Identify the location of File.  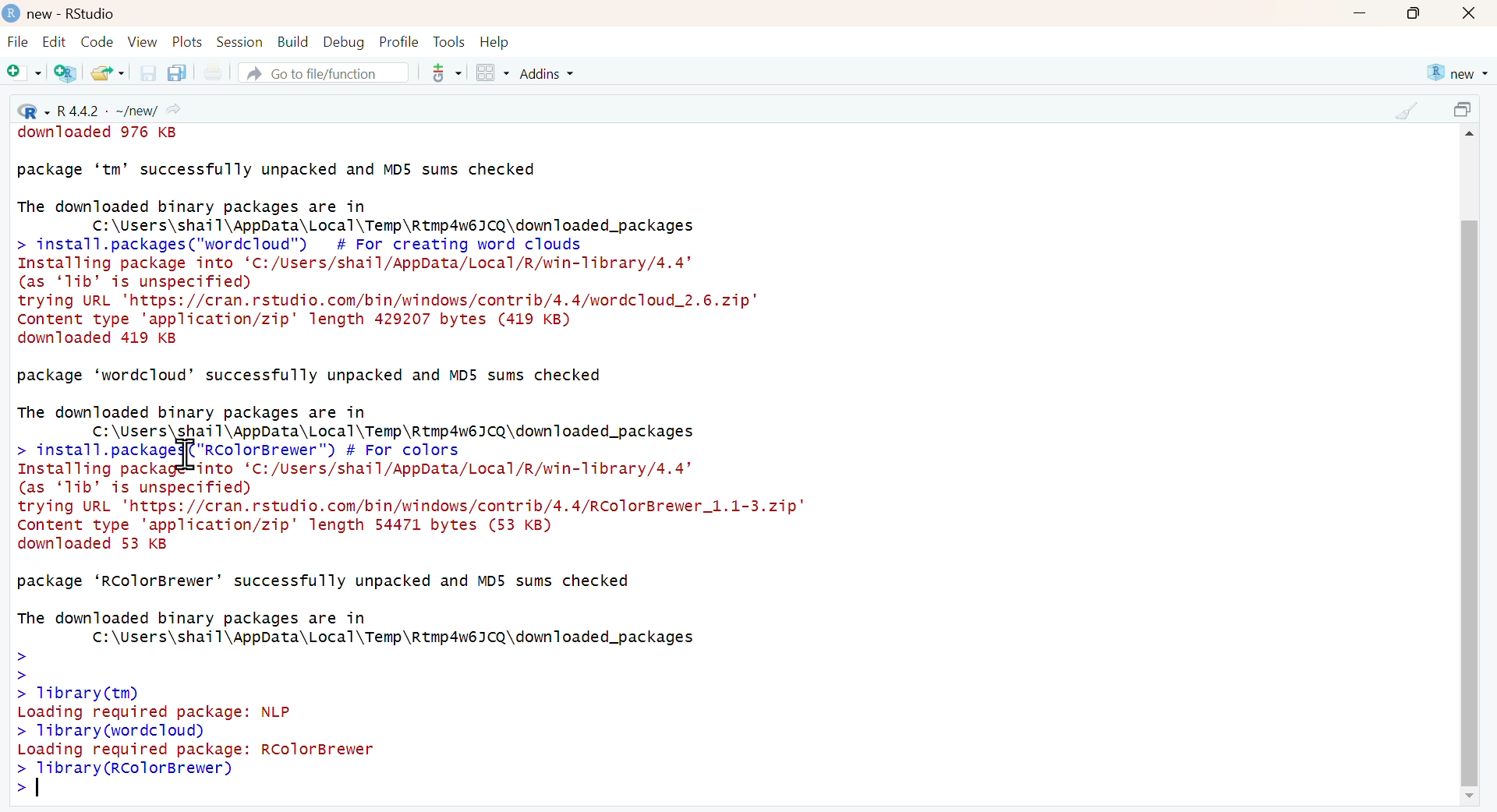
(18, 43).